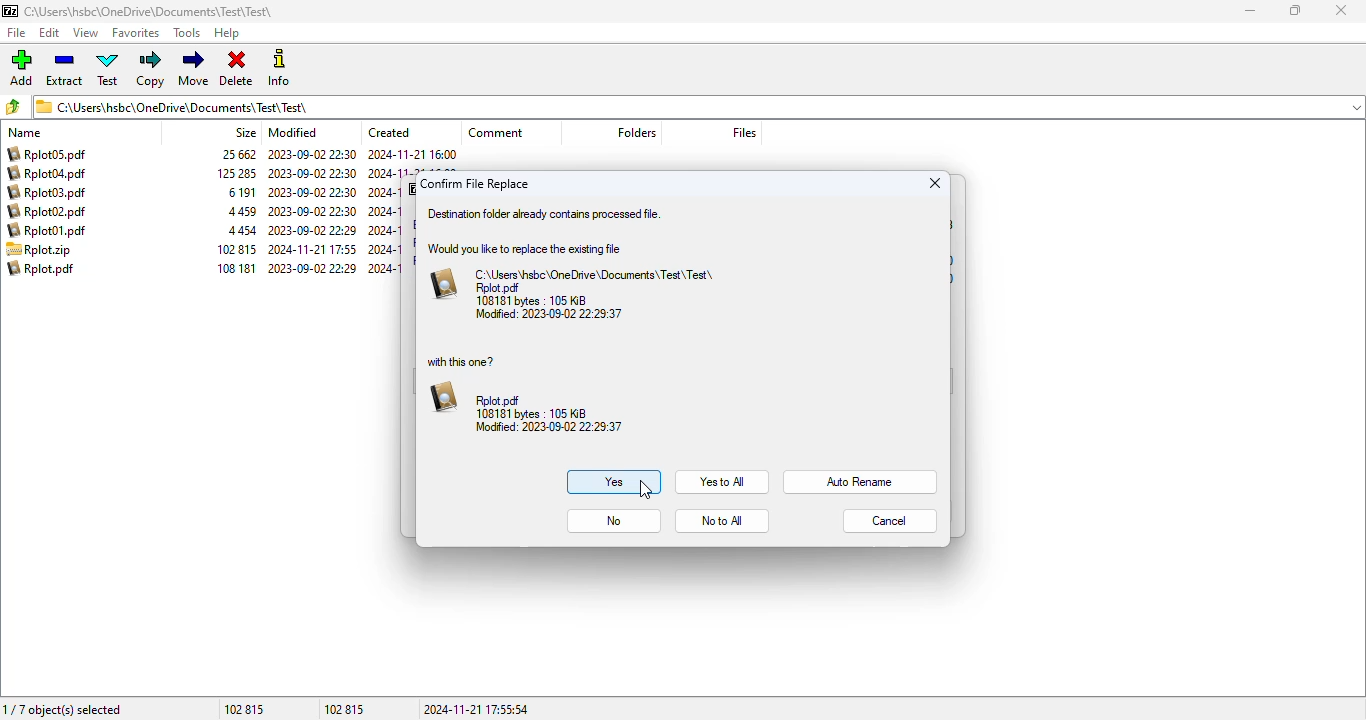 The image size is (1366, 720). I want to click on 6 191, so click(242, 193).